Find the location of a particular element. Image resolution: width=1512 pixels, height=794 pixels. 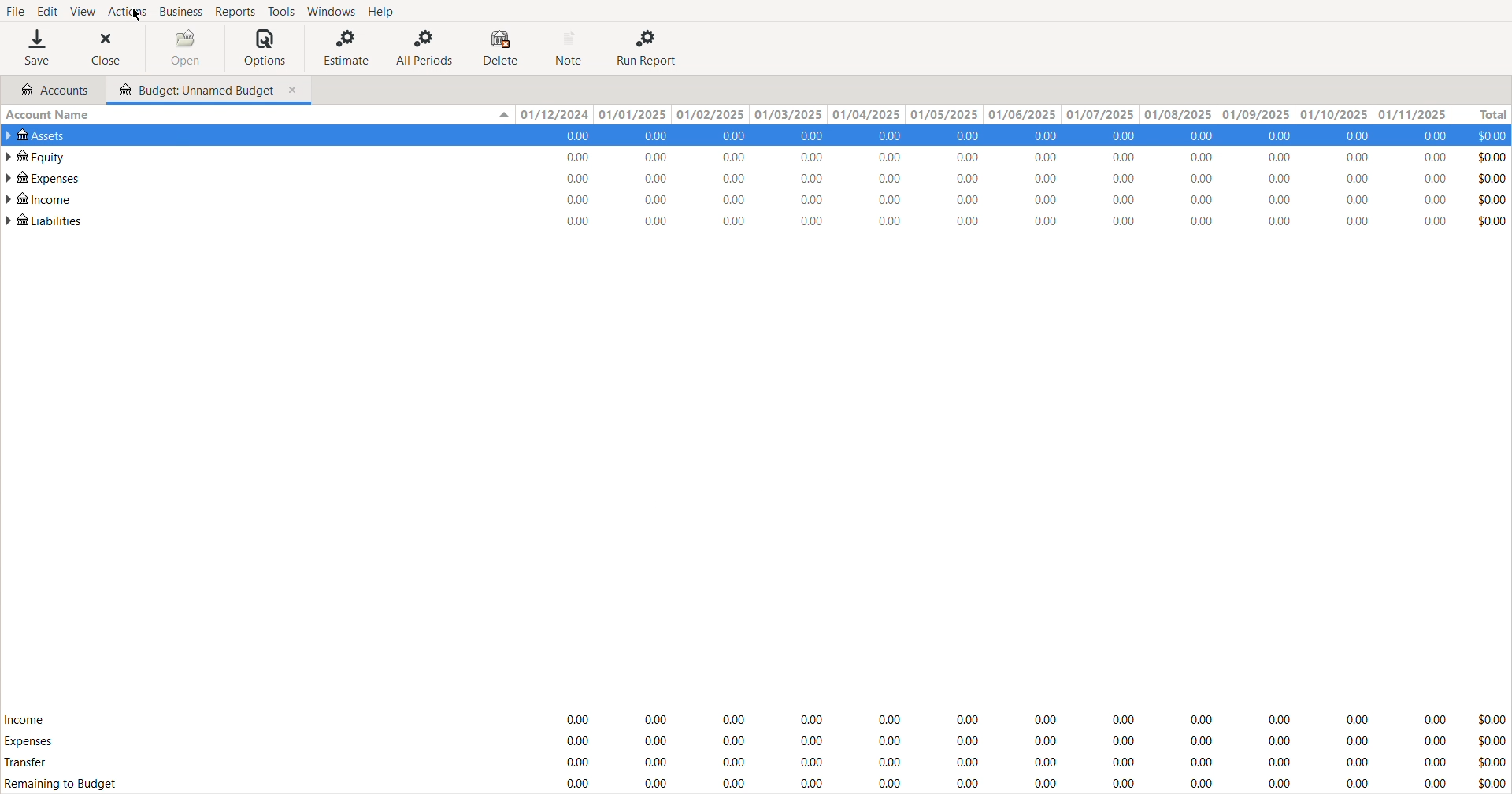

Transfer is located at coordinates (28, 764).